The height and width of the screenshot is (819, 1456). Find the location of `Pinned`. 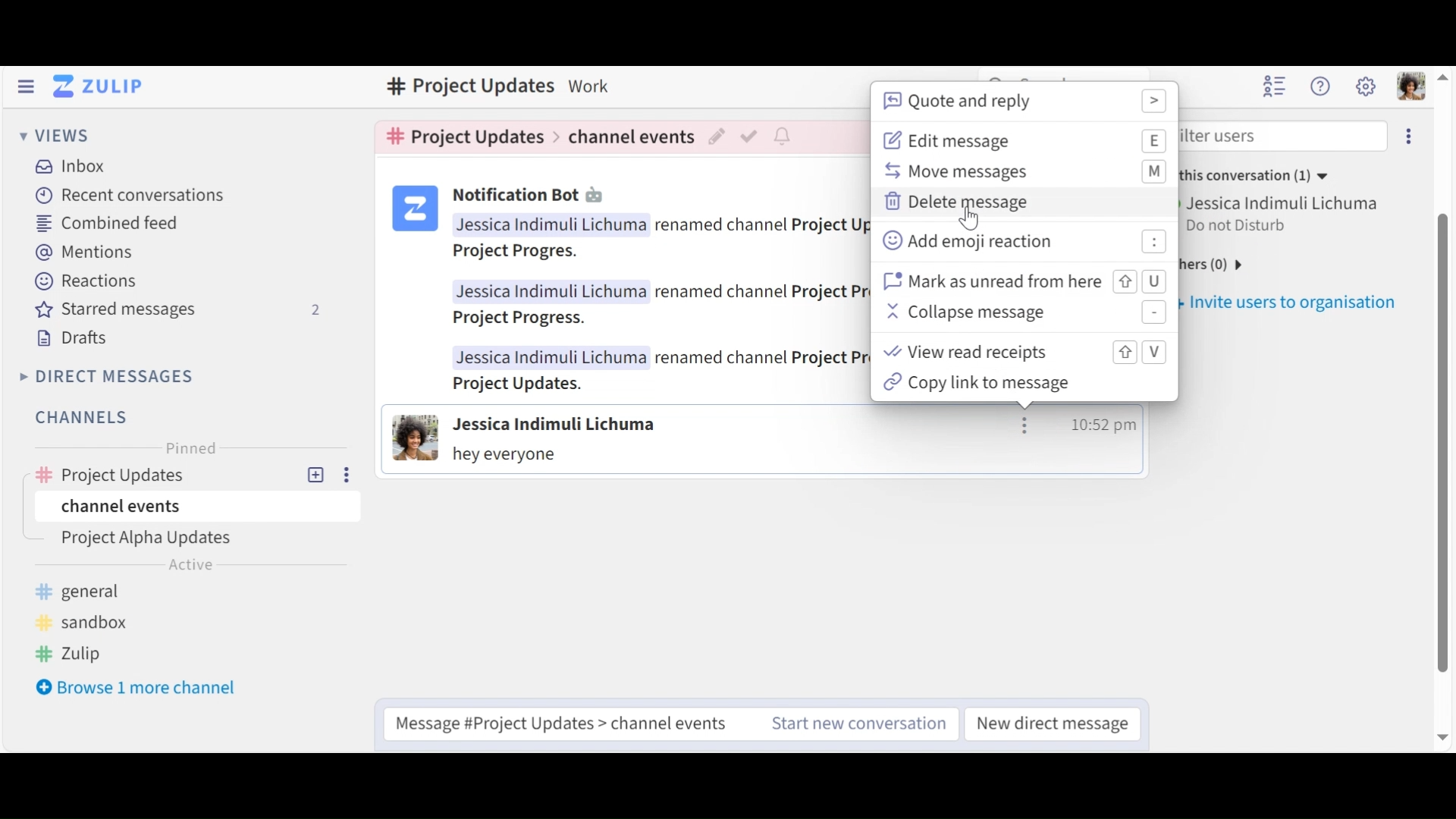

Pinned is located at coordinates (192, 448).